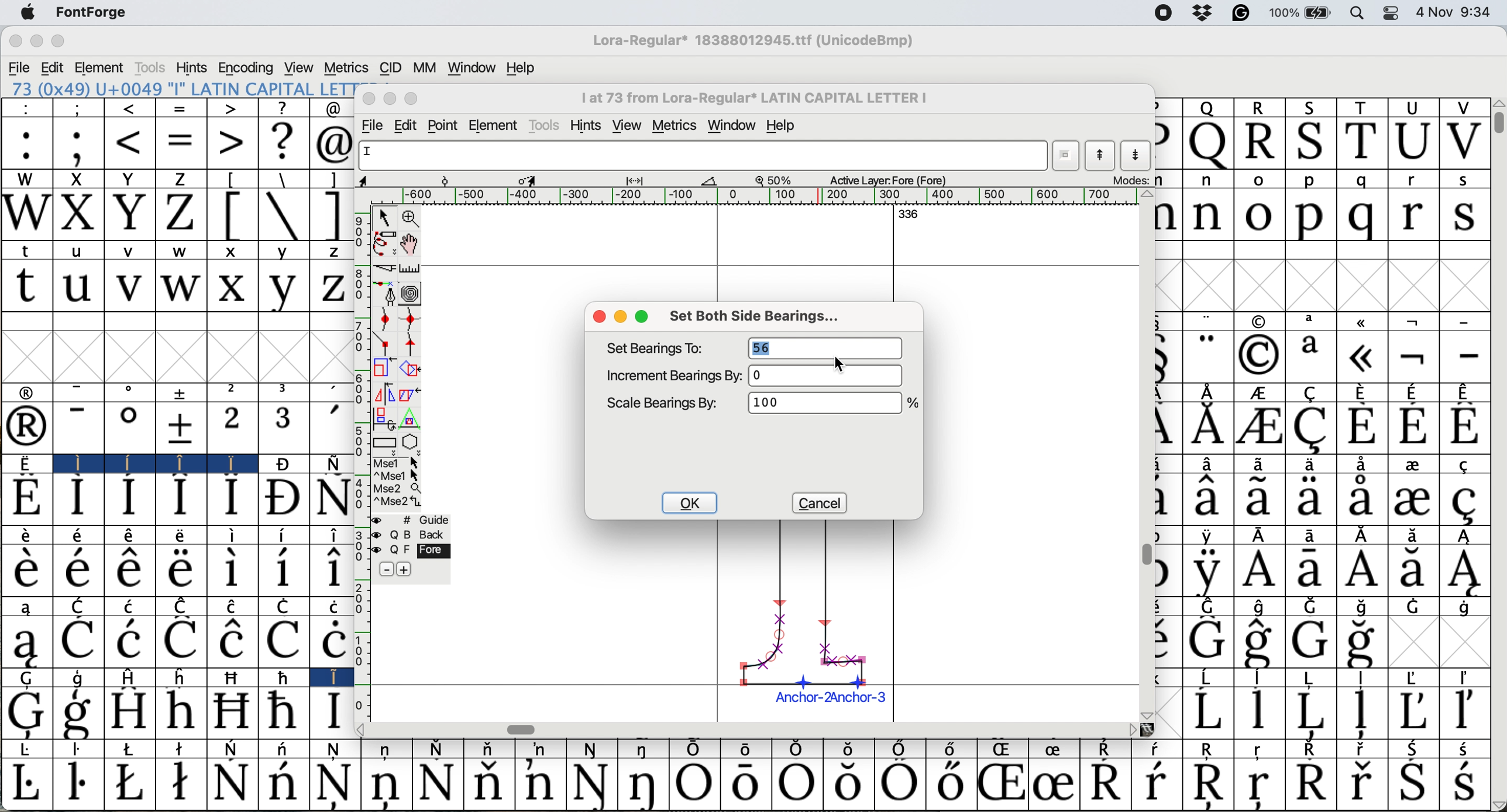 The width and height of the screenshot is (1507, 812). I want to click on , so click(380, 550).